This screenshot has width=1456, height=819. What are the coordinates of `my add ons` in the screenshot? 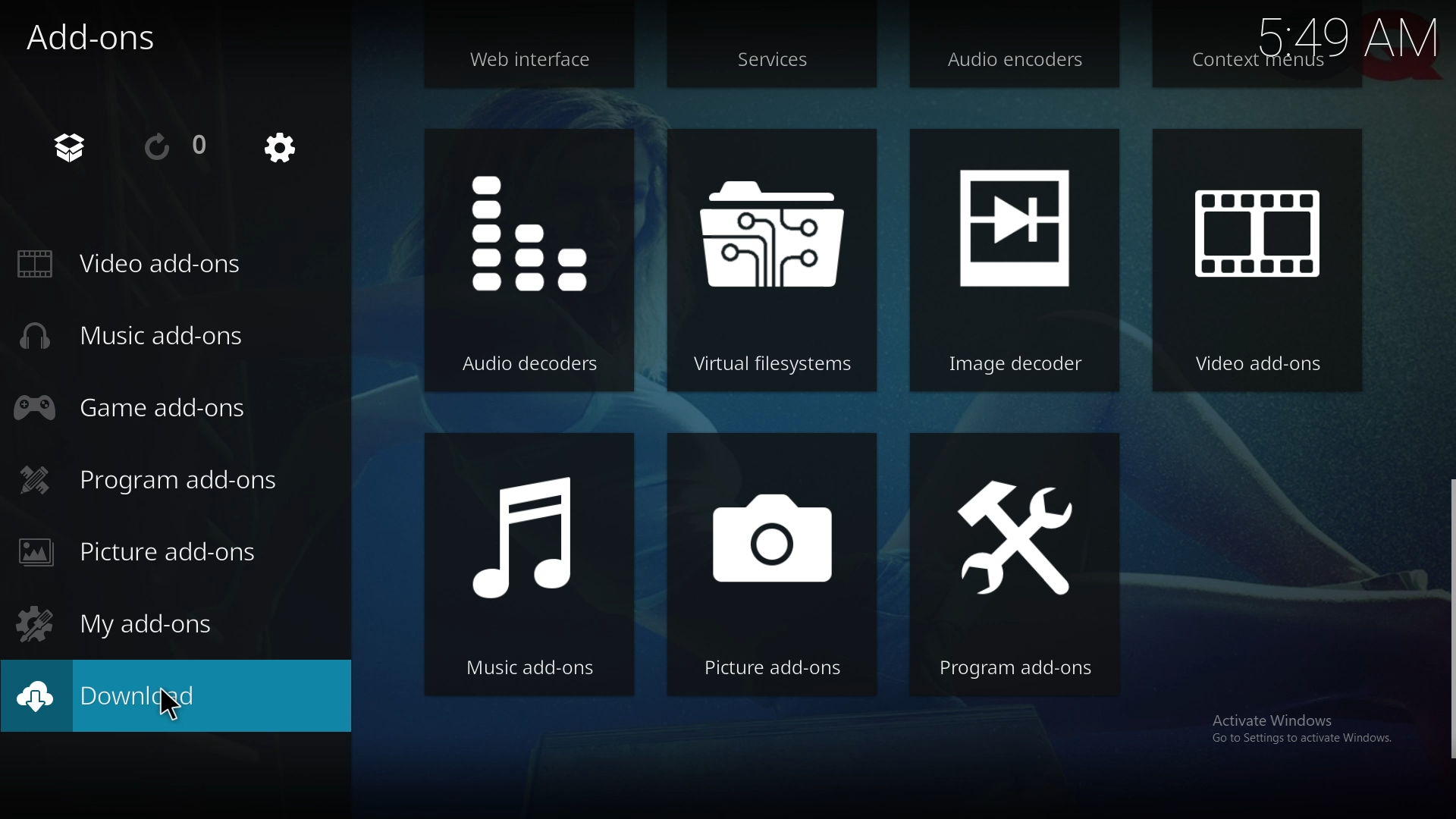 It's located at (138, 625).